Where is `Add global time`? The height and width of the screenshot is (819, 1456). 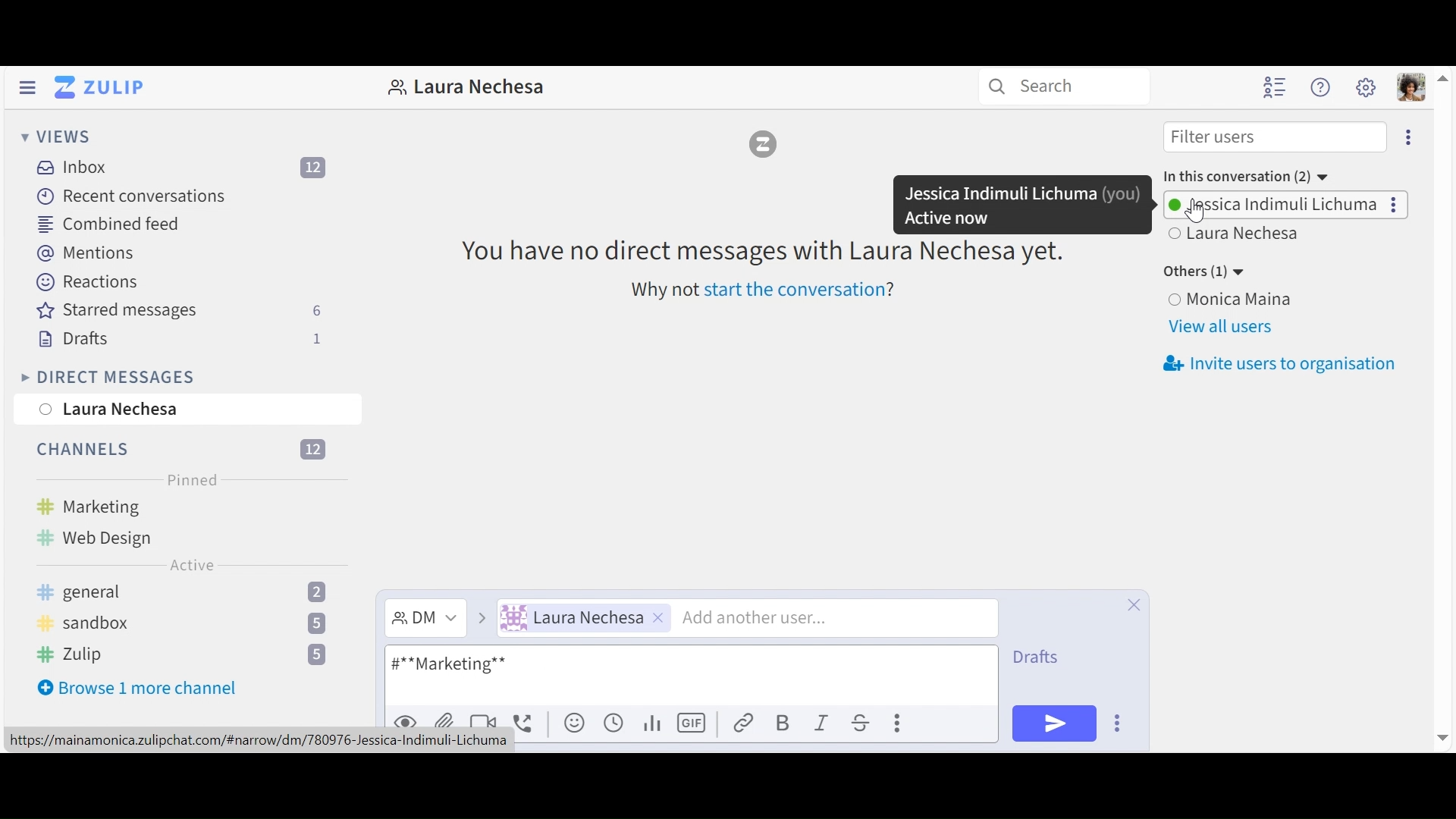 Add global time is located at coordinates (617, 723).